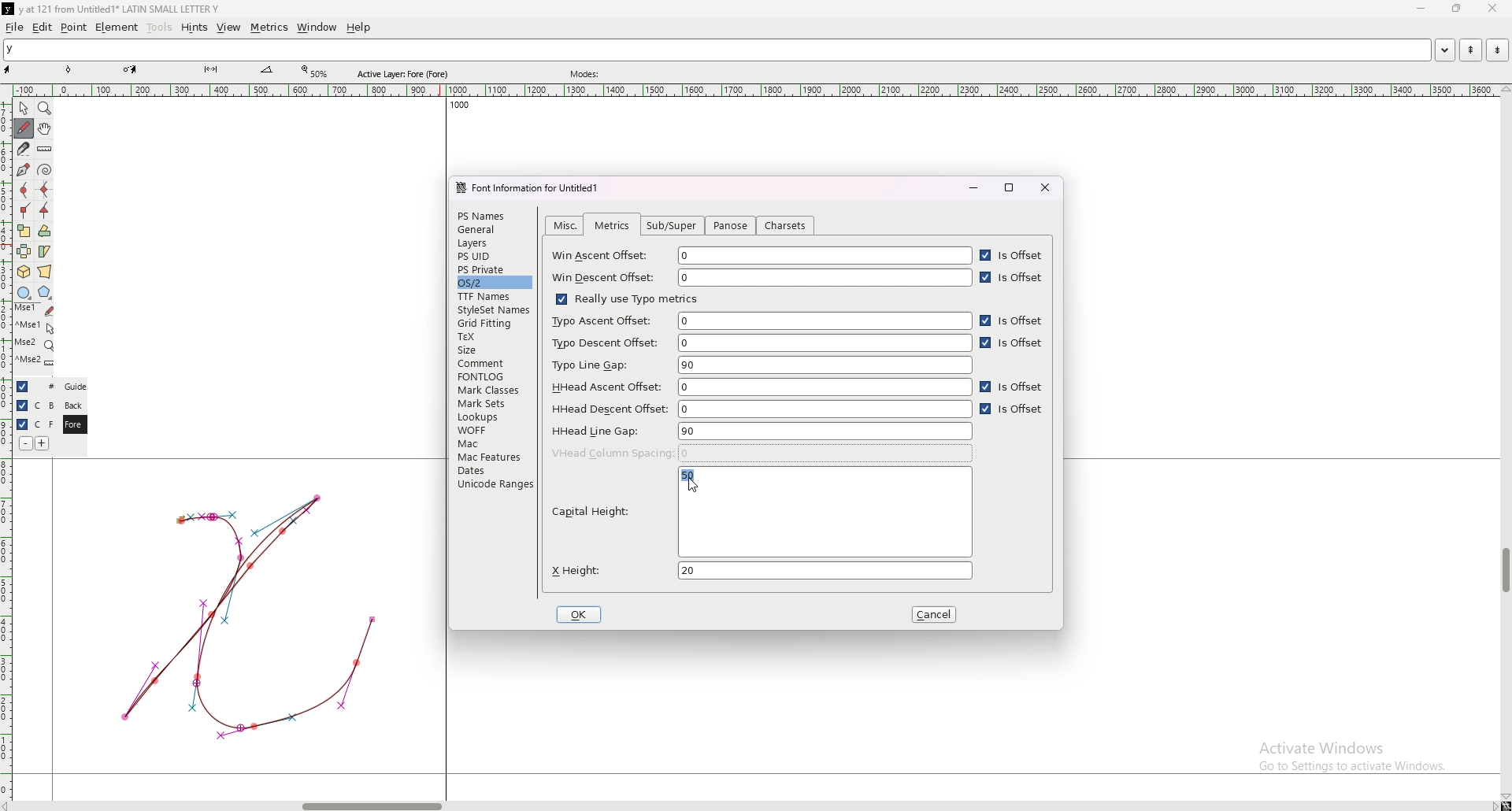  Describe the element at coordinates (25, 443) in the screenshot. I see `remove layer` at that location.